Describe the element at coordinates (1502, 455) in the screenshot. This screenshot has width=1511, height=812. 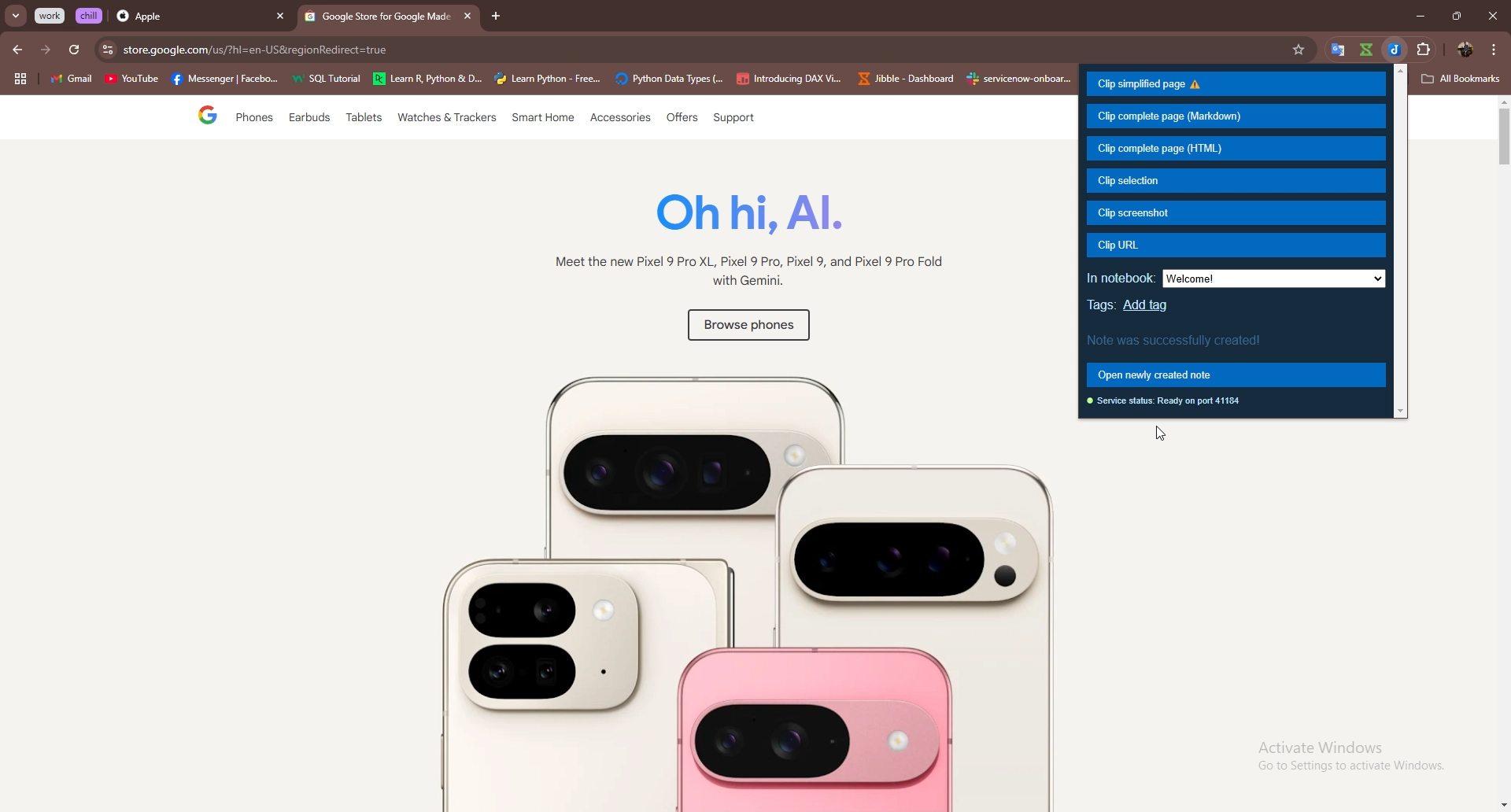
I see `scroll bar` at that location.